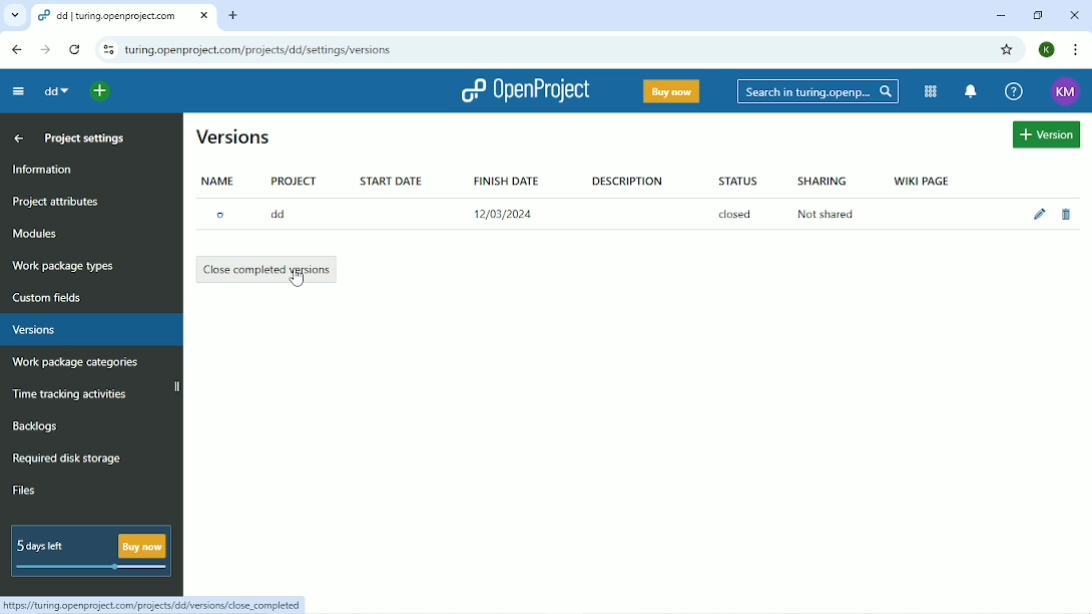 This screenshot has width=1092, height=614. I want to click on 5 days left, so click(90, 552).